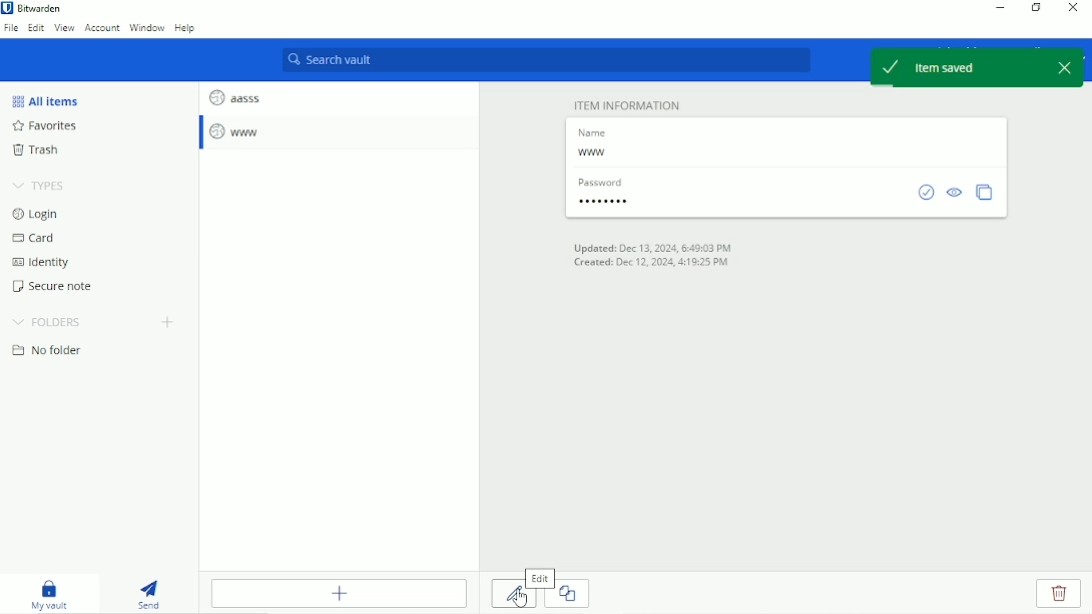  Describe the element at coordinates (152, 594) in the screenshot. I see `Send` at that location.